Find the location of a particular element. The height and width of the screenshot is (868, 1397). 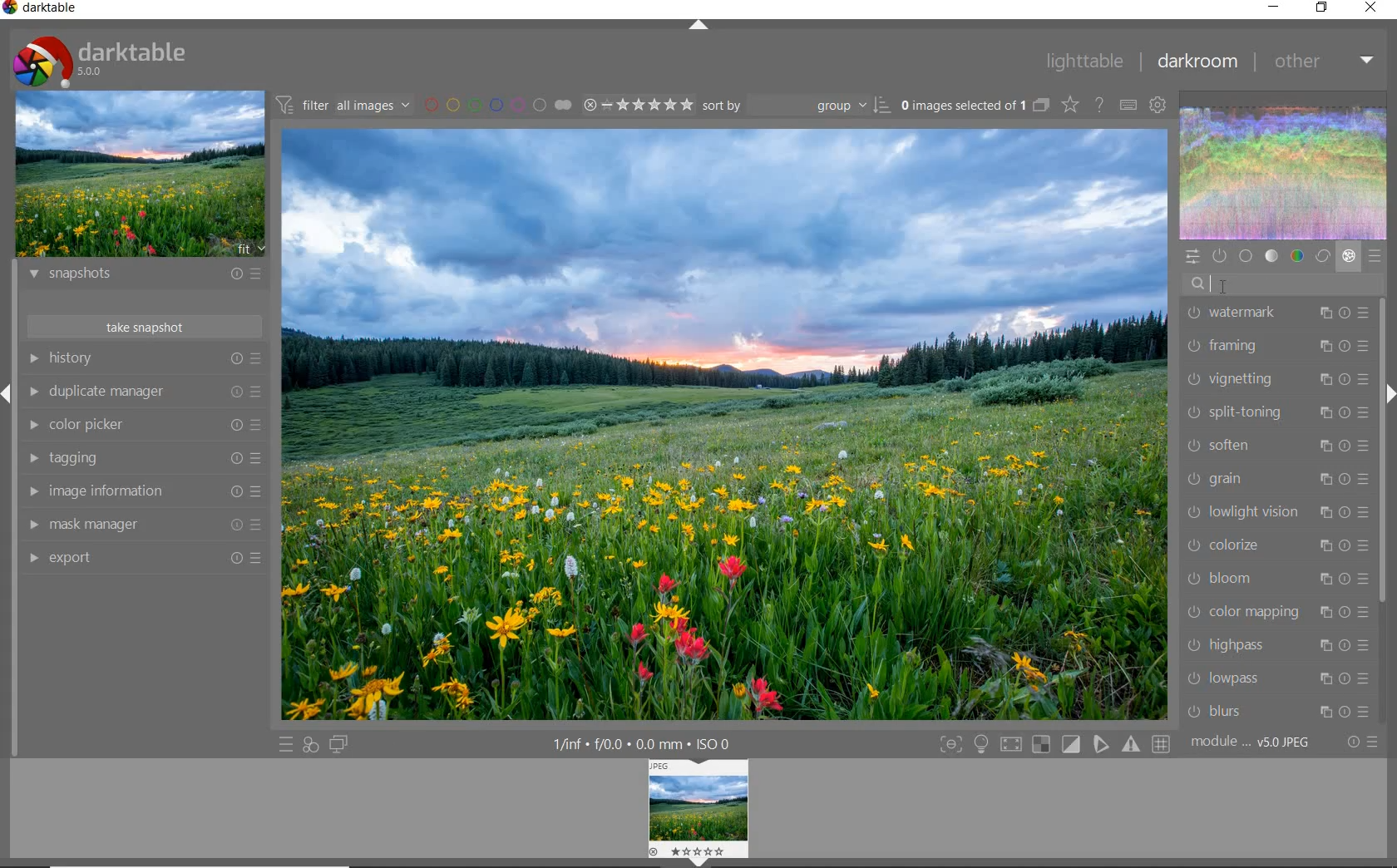

expand grouped images is located at coordinates (975, 106).